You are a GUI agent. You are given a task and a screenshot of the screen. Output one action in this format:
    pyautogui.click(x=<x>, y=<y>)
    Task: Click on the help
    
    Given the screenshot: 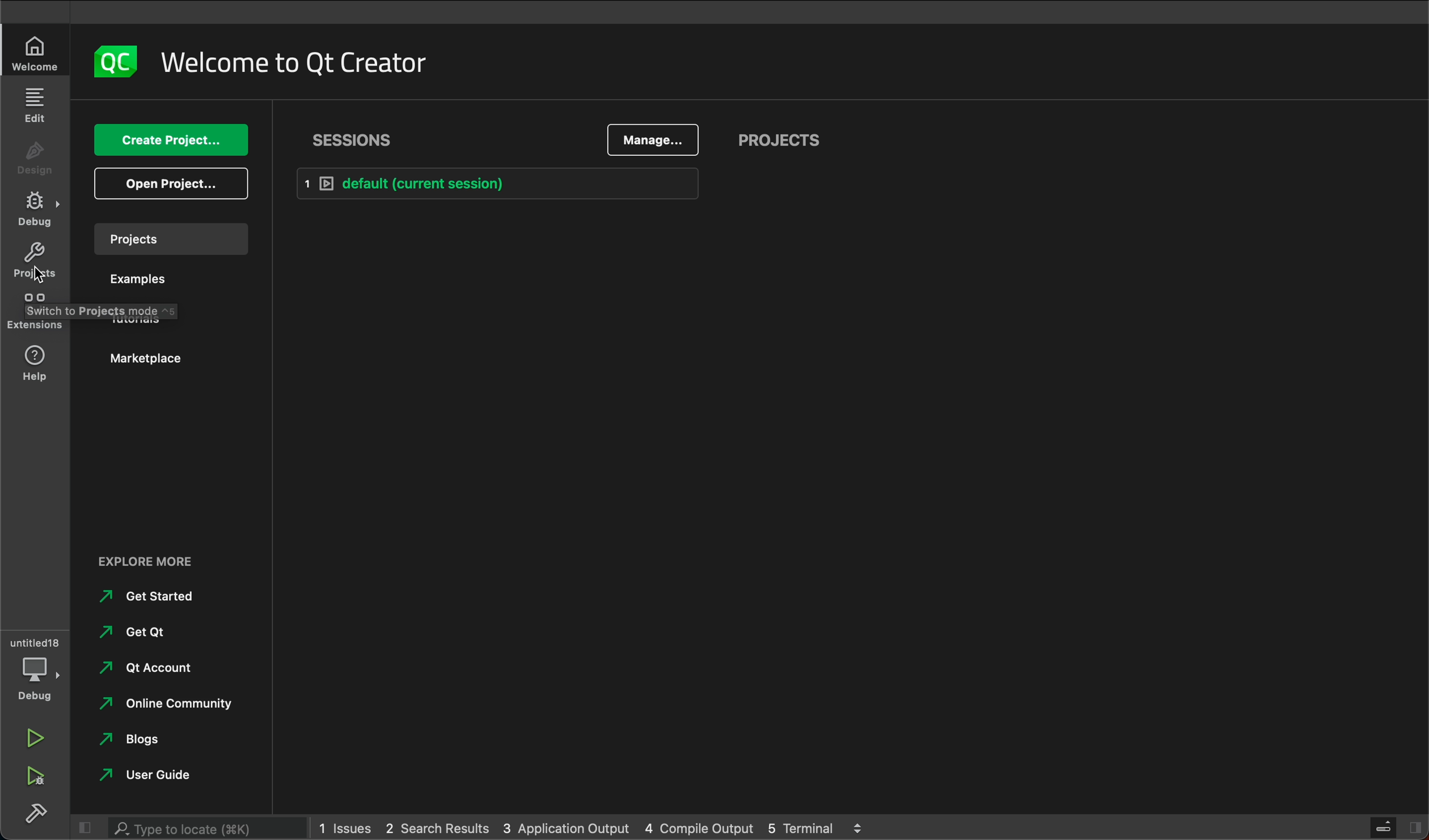 What is the action you would take?
    pyautogui.click(x=37, y=360)
    